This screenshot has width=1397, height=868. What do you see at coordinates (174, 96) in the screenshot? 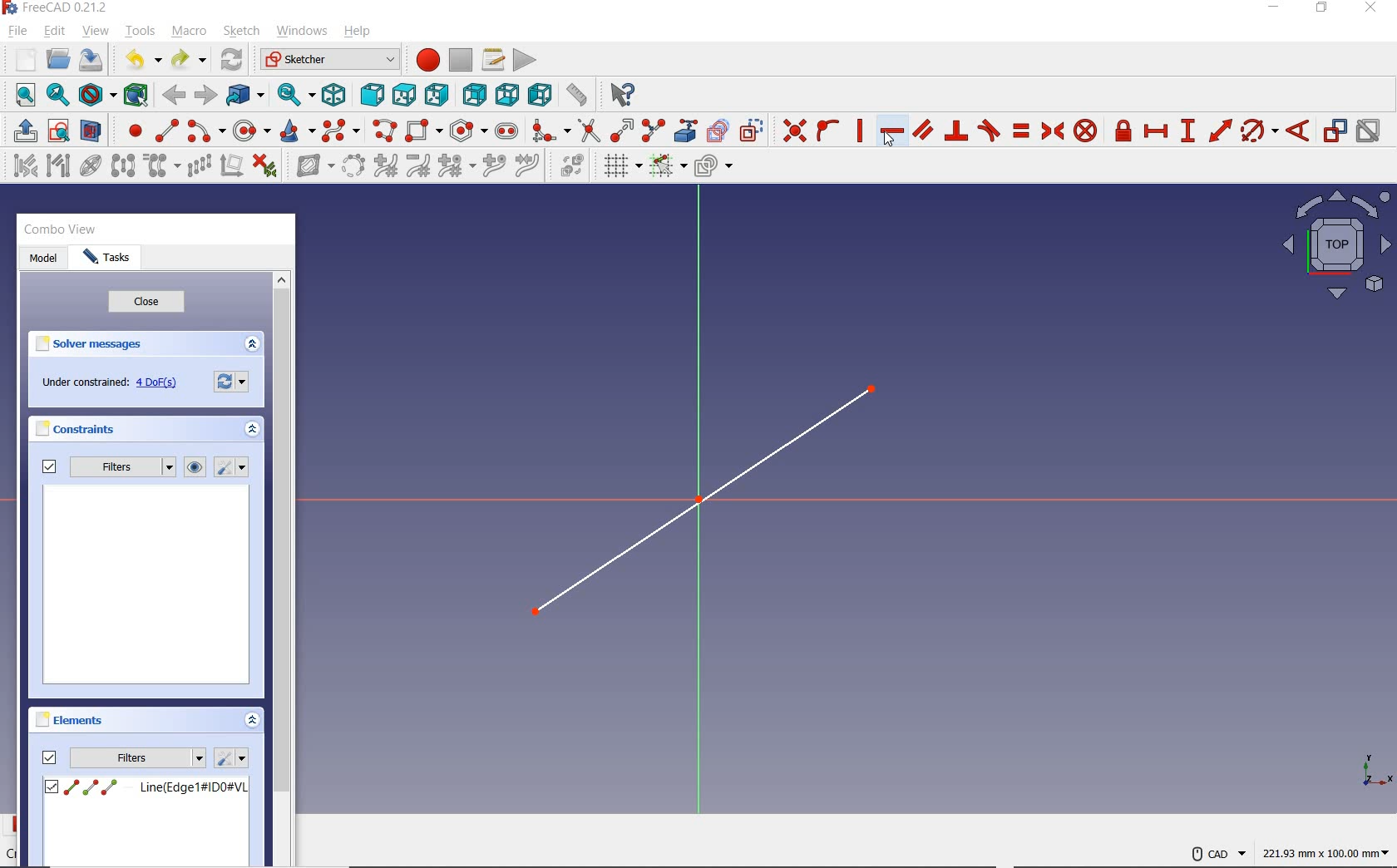
I see `BACK` at bounding box center [174, 96].